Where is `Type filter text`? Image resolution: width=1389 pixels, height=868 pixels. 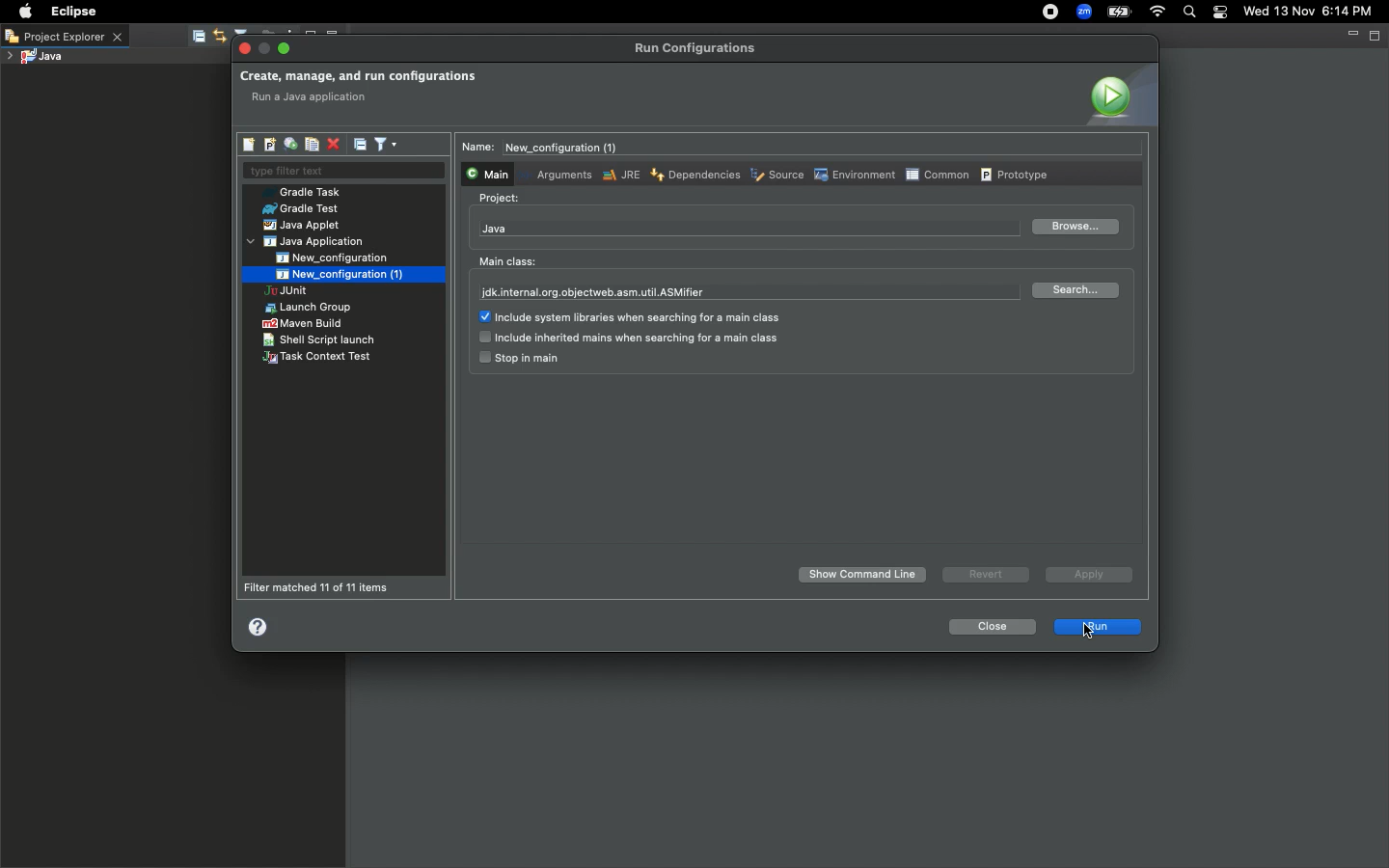
Type filter text is located at coordinates (342, 172).